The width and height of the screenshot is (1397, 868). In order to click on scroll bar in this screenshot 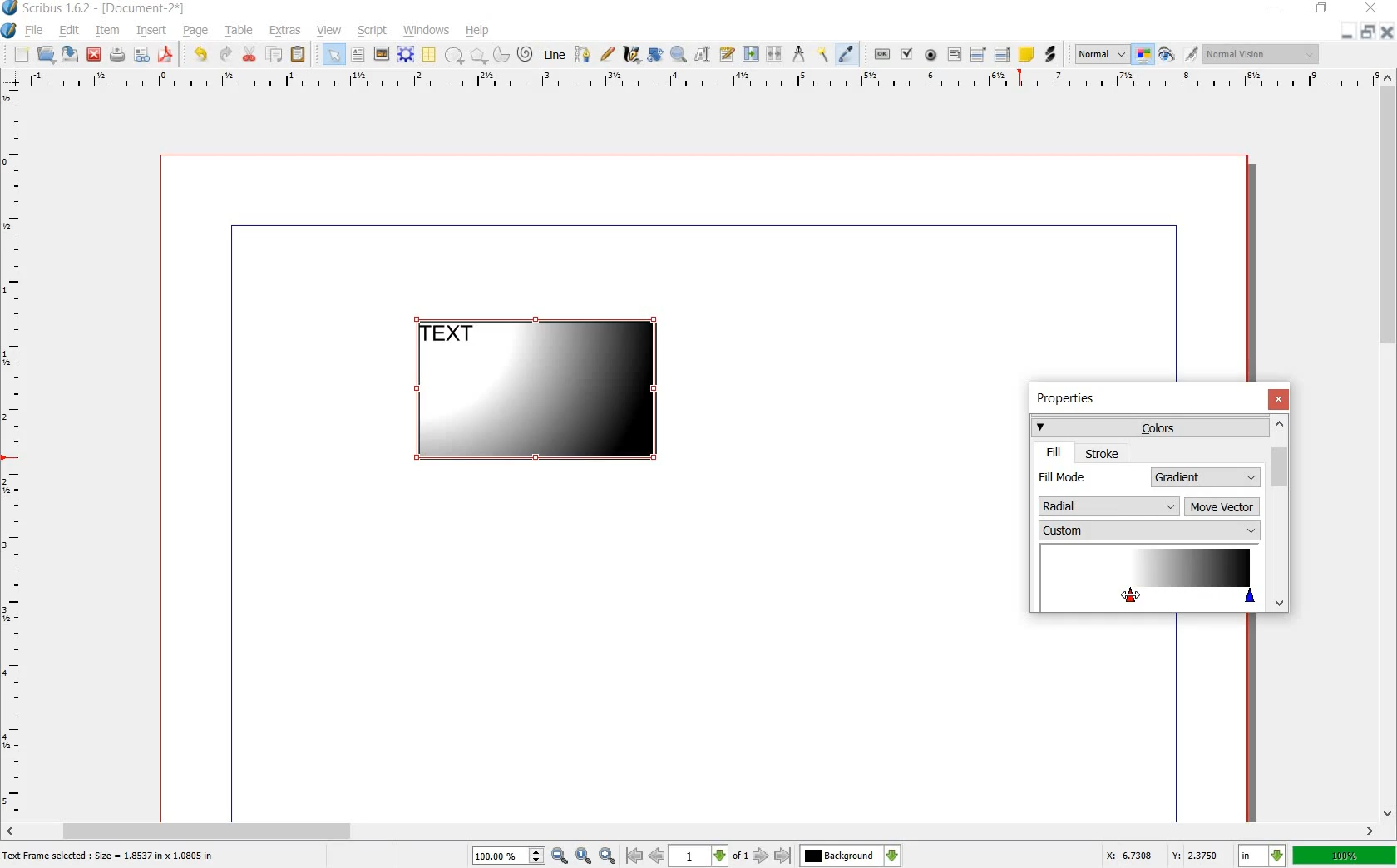, I will do `click(692, 830)`.